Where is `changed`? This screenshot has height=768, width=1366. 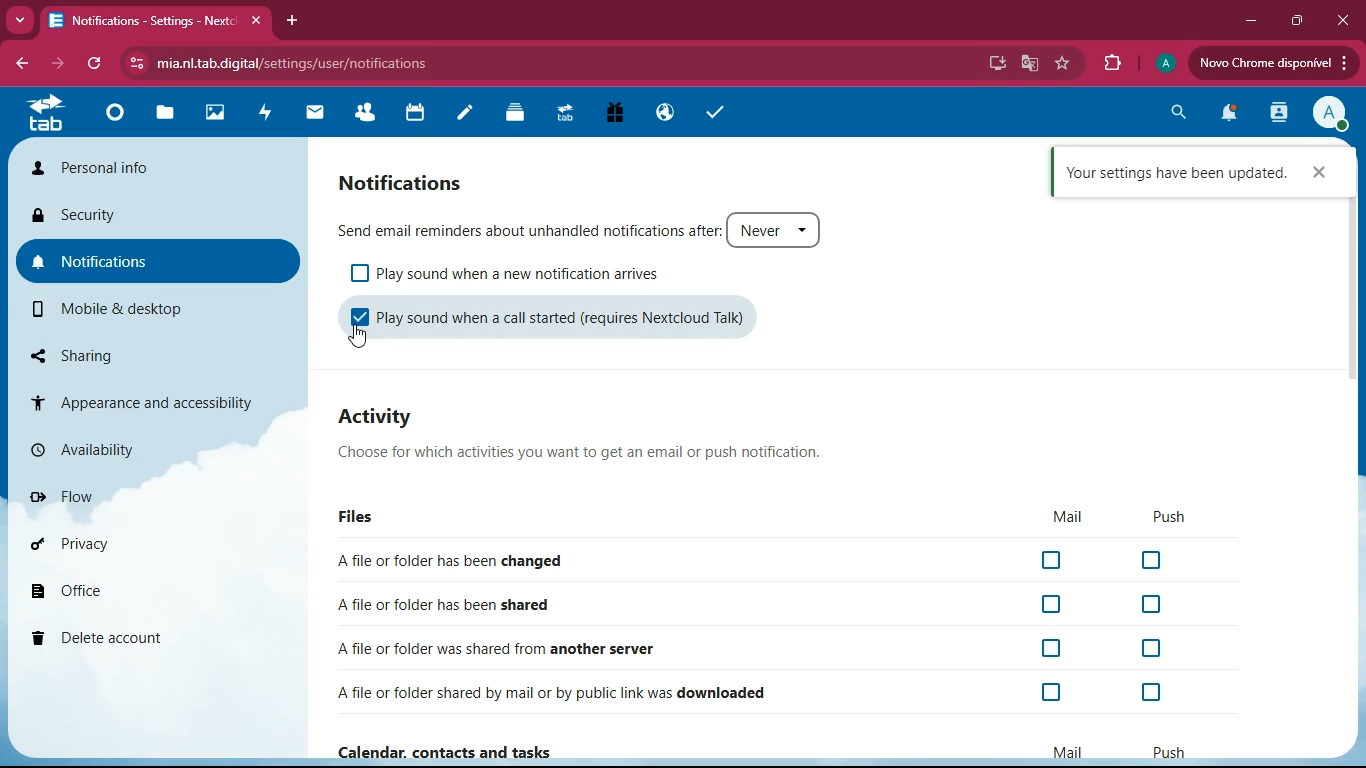
changed is located at coordinates (456, 558).